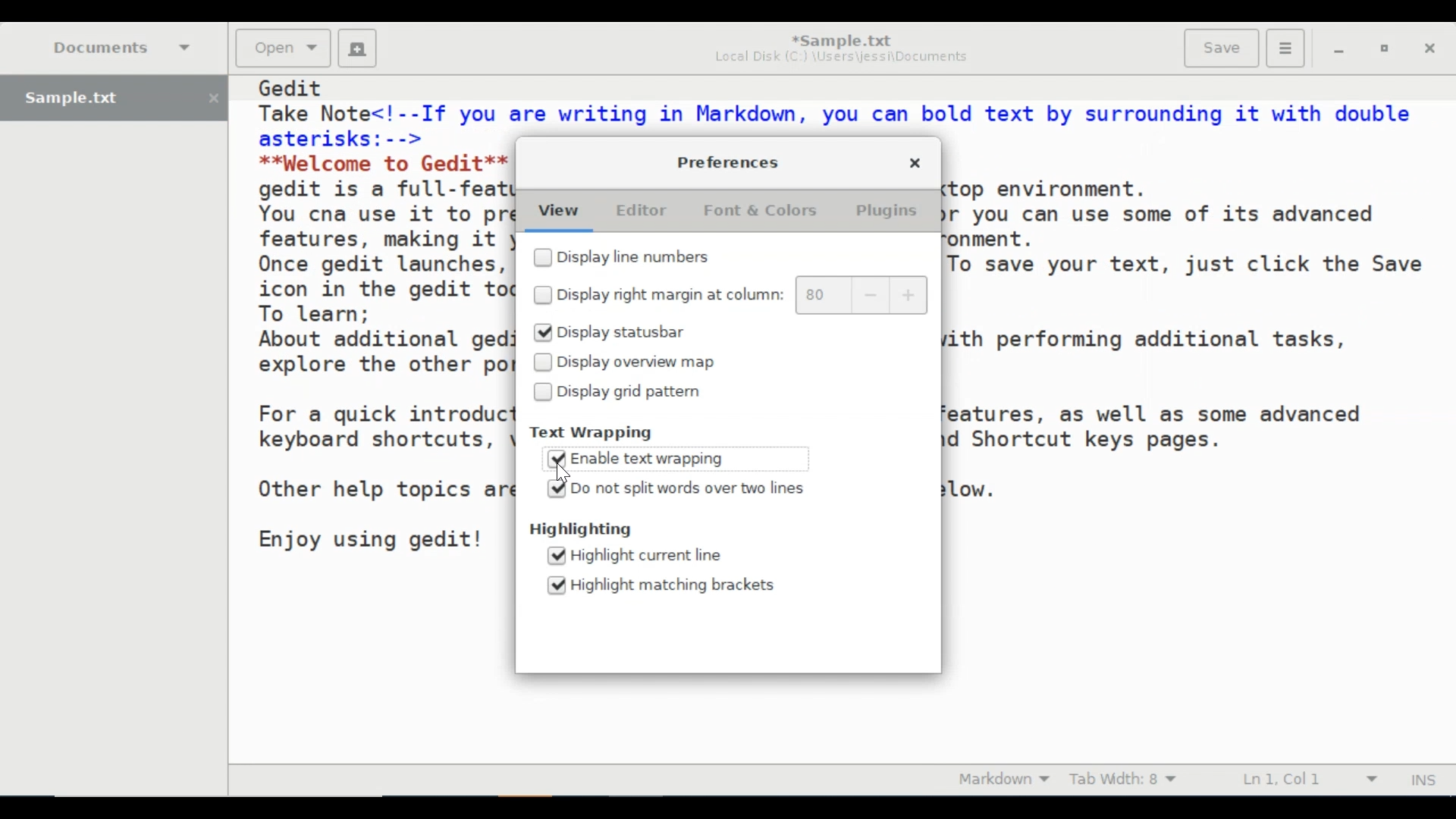 This screenshot has width=1456, height=819. Describe the element at coordinates (113, 99) in the screenshot. I see `Sample.txt` at that location.